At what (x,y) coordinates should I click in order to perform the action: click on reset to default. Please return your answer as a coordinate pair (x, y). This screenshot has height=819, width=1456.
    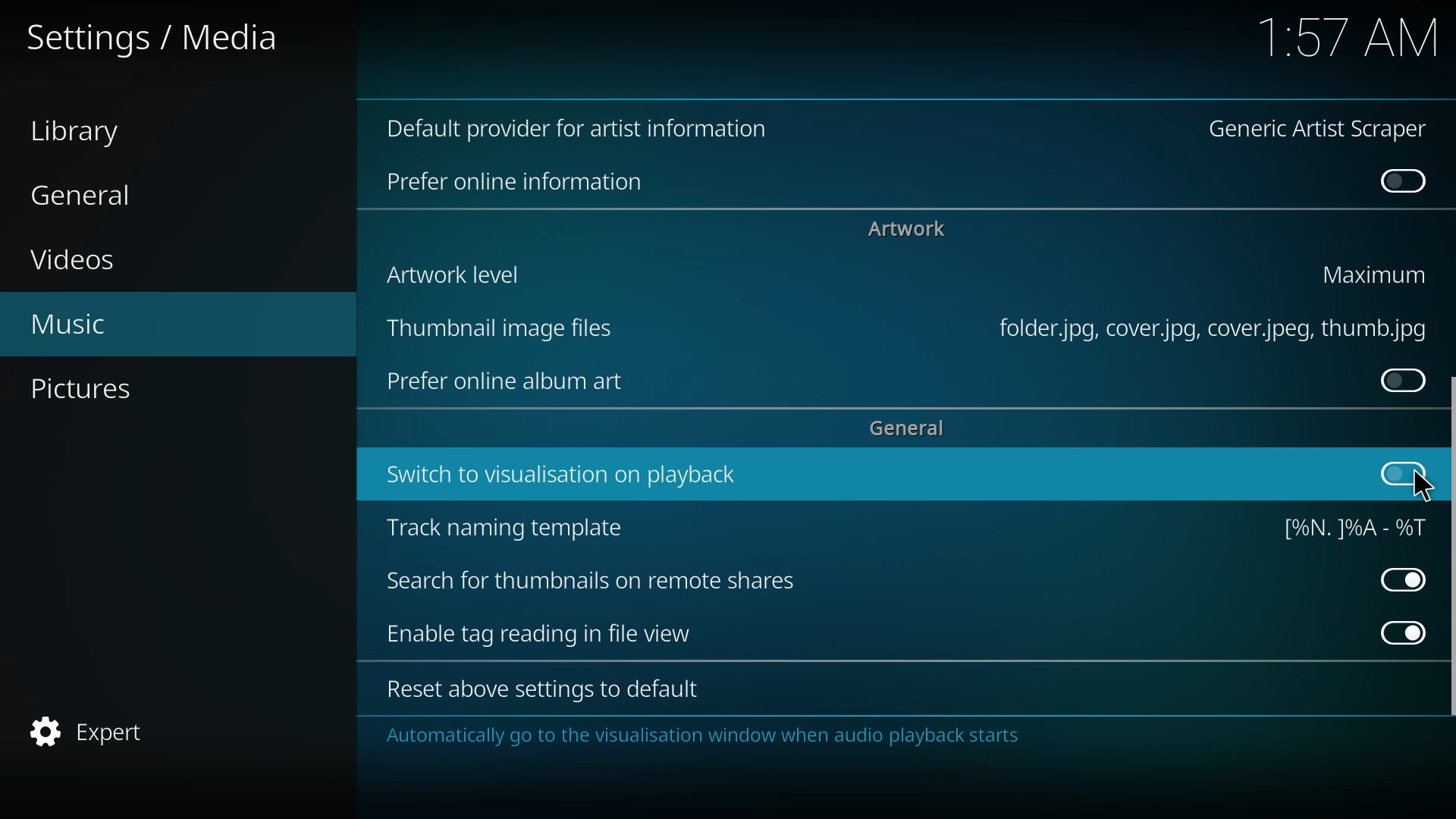
    Looking at the image, I should click on (535, 691).